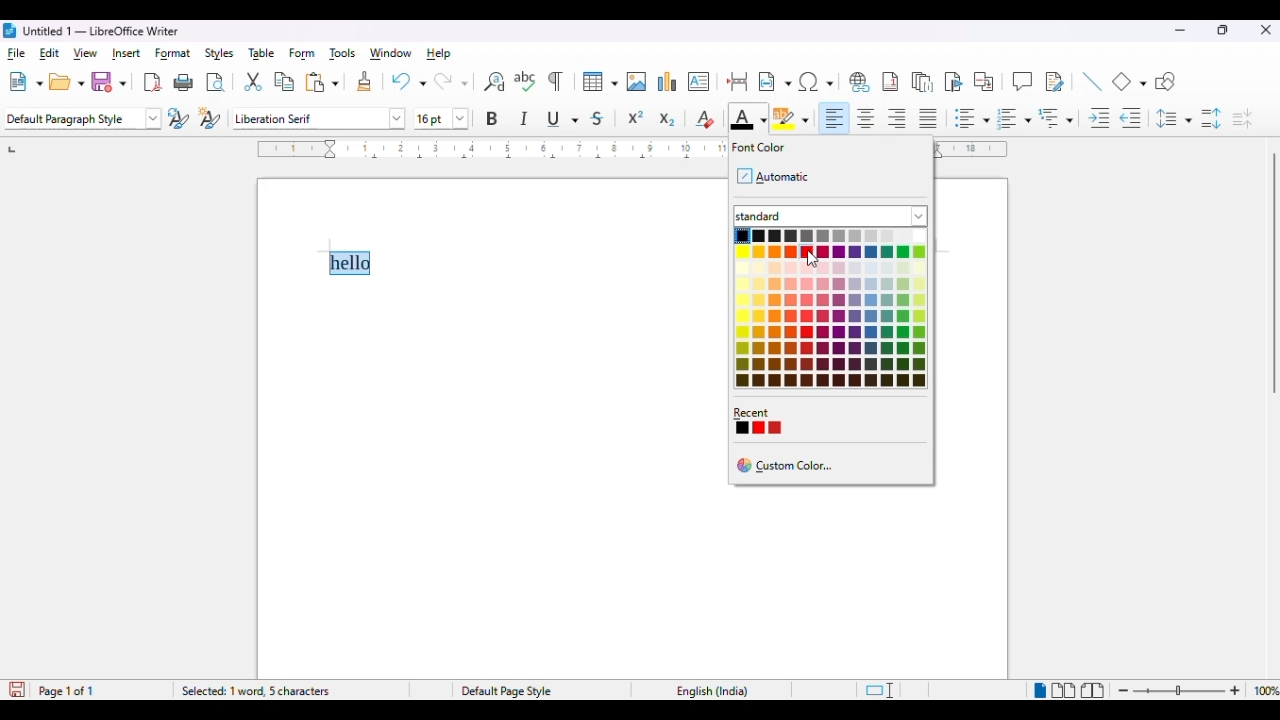  Describe the element at coordinates (666, 120) in the screenshot. I see `subscript` at that location.